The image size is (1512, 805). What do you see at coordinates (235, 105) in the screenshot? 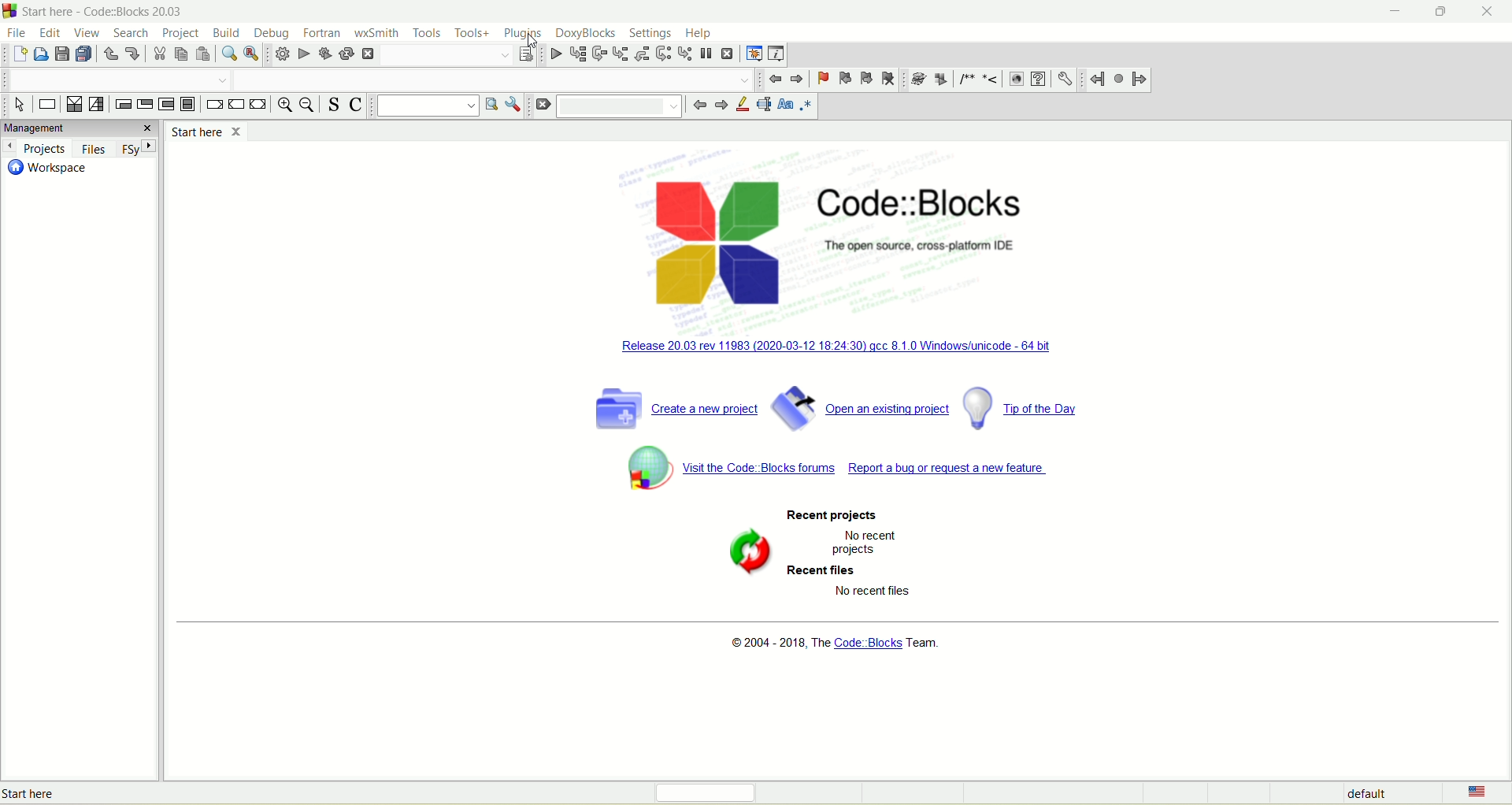
I see `continue instruction` at bounding box center [235, 105].